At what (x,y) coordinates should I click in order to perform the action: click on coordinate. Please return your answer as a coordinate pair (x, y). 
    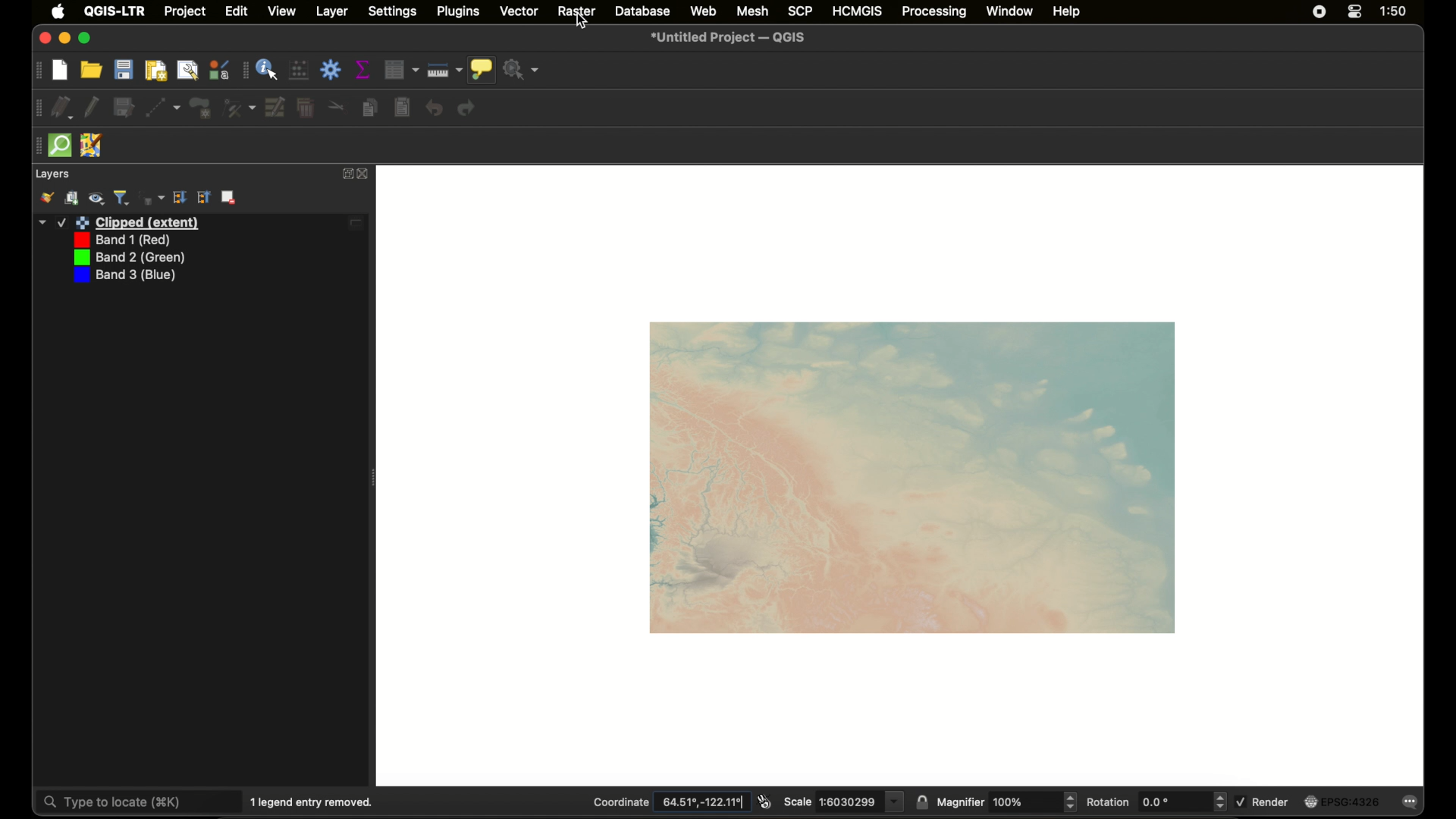
    Looking at the image, I should click on (669, 802).